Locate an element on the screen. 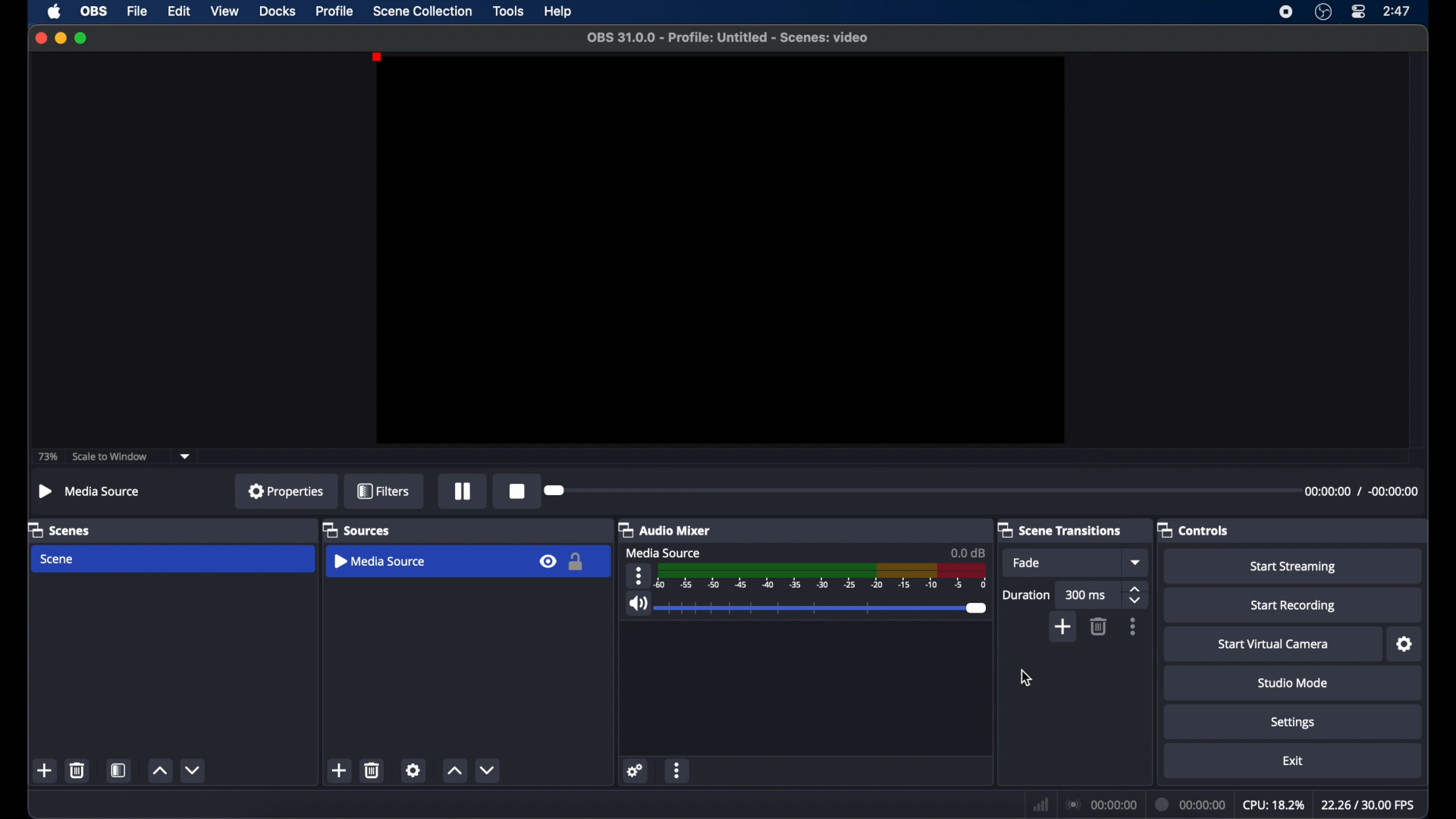 The height and width of the screenshot is (819, 1456). sources is located at coordinates (358, 529).